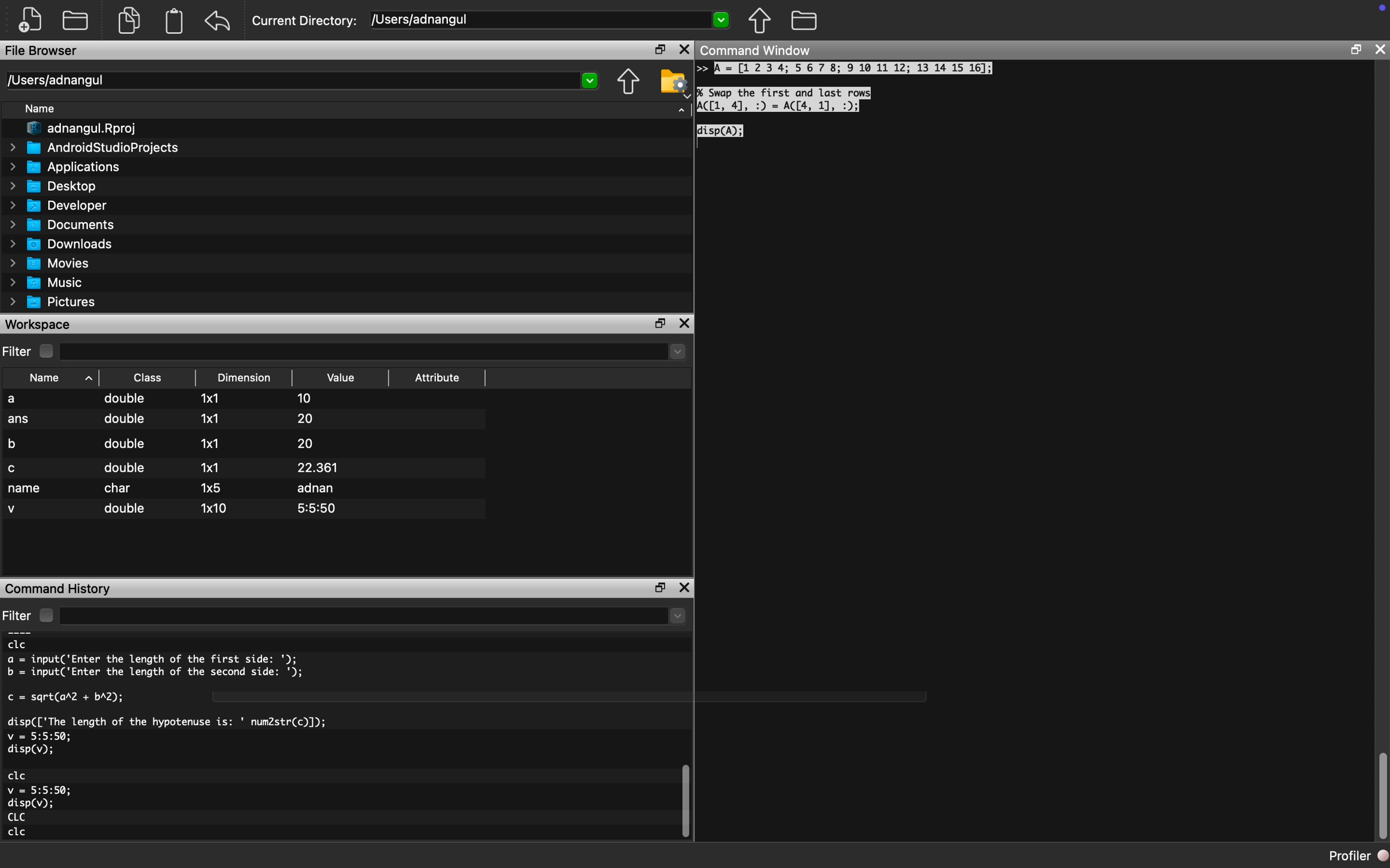  What do you see at coordinates (306, 19) in the screenshot?
I see `Current Directory:` at bounding box center [306, 19].